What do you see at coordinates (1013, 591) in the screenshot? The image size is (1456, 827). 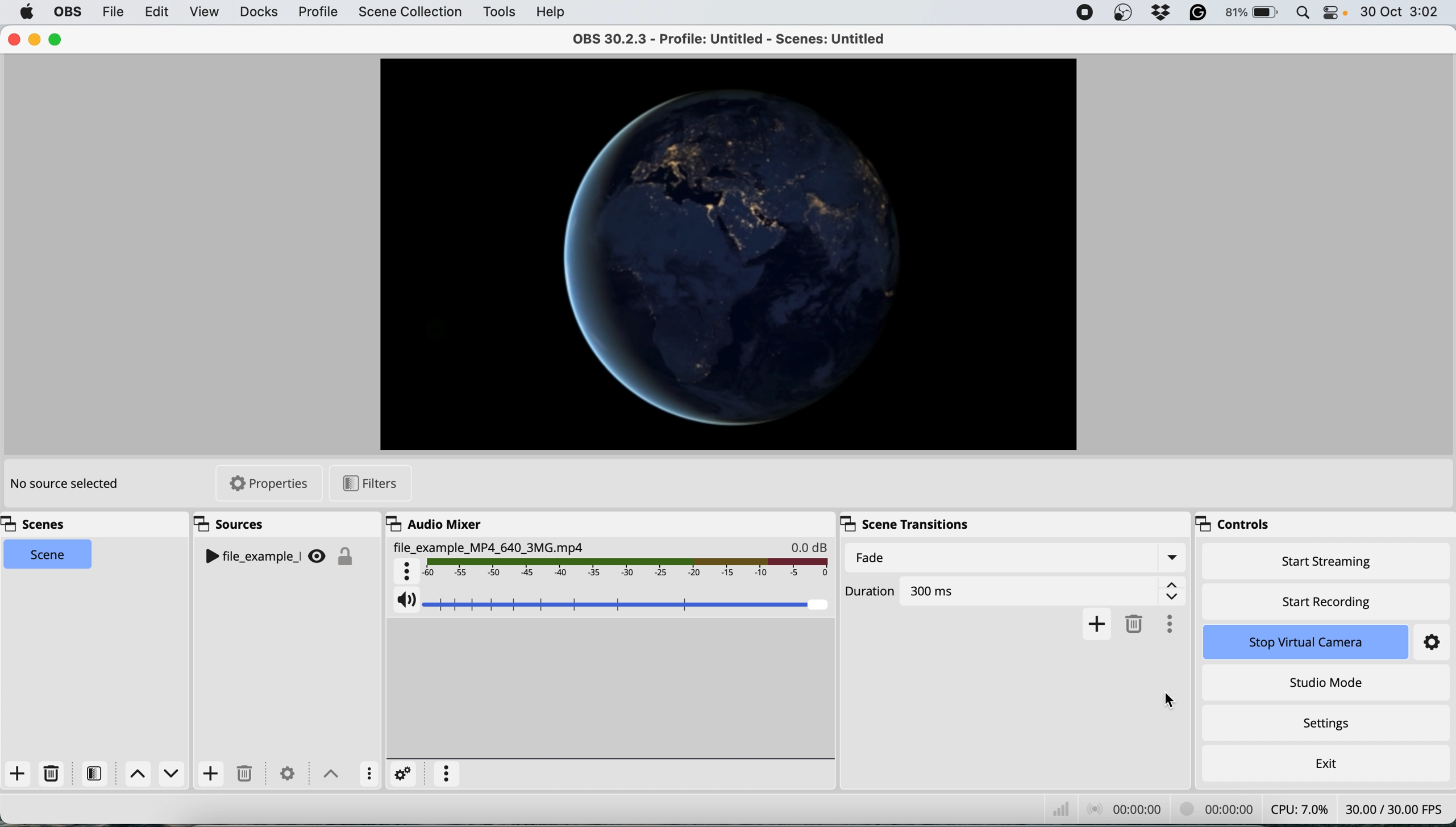 I see `duration` at bounding box center [1013, 591].